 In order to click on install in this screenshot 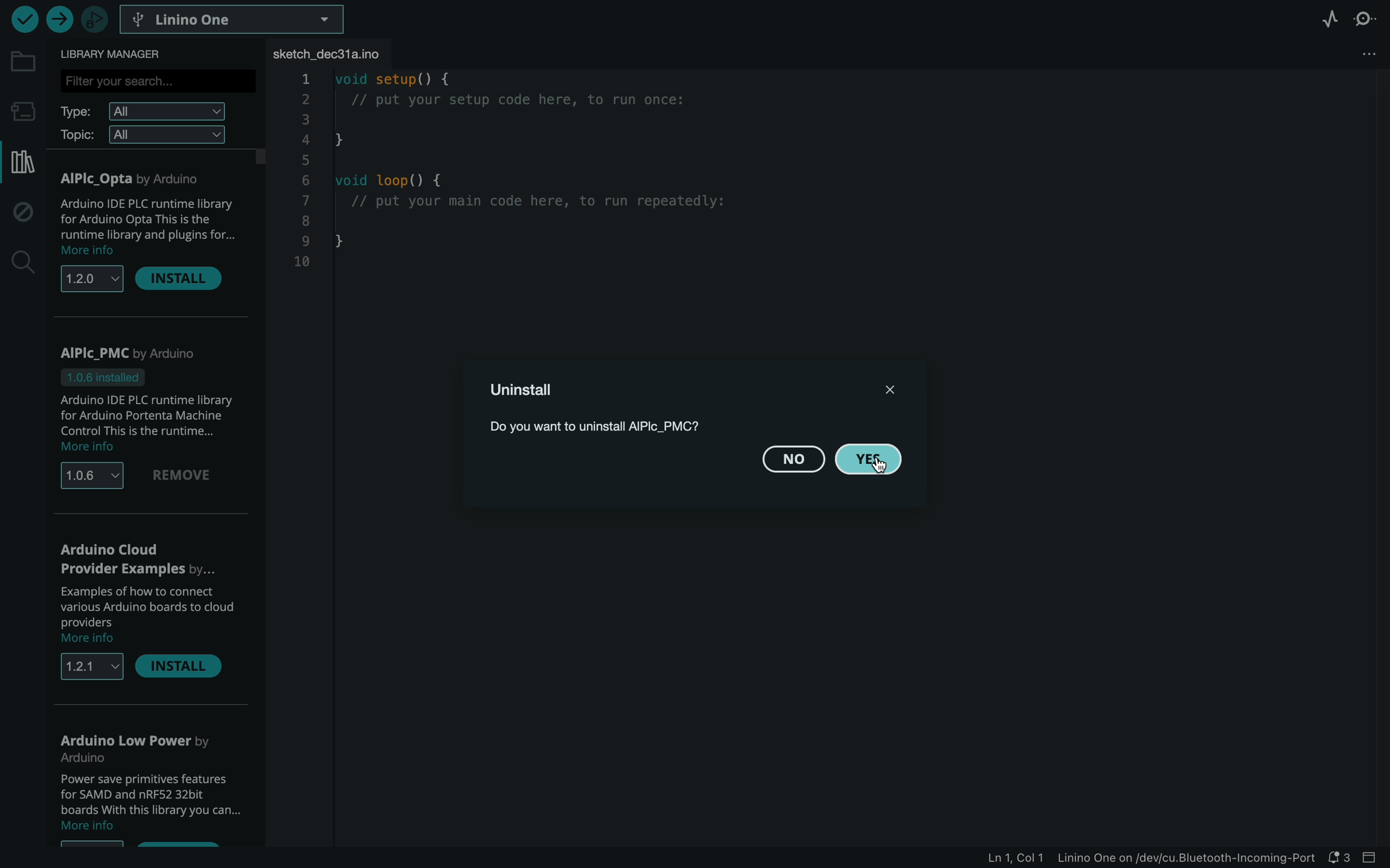, I will do `click(181, 669)`.